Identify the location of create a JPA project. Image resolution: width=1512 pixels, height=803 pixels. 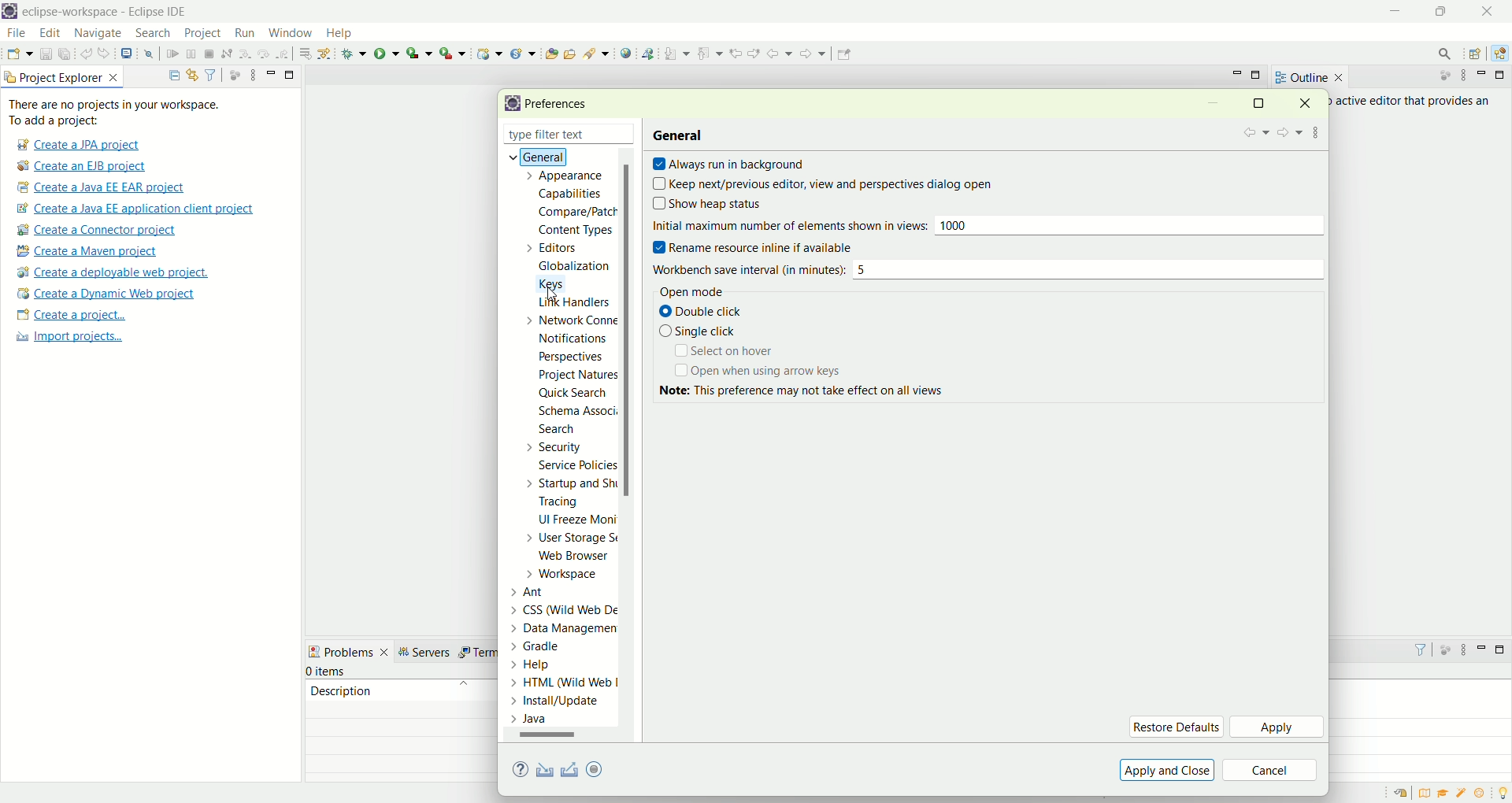
(76, 145).